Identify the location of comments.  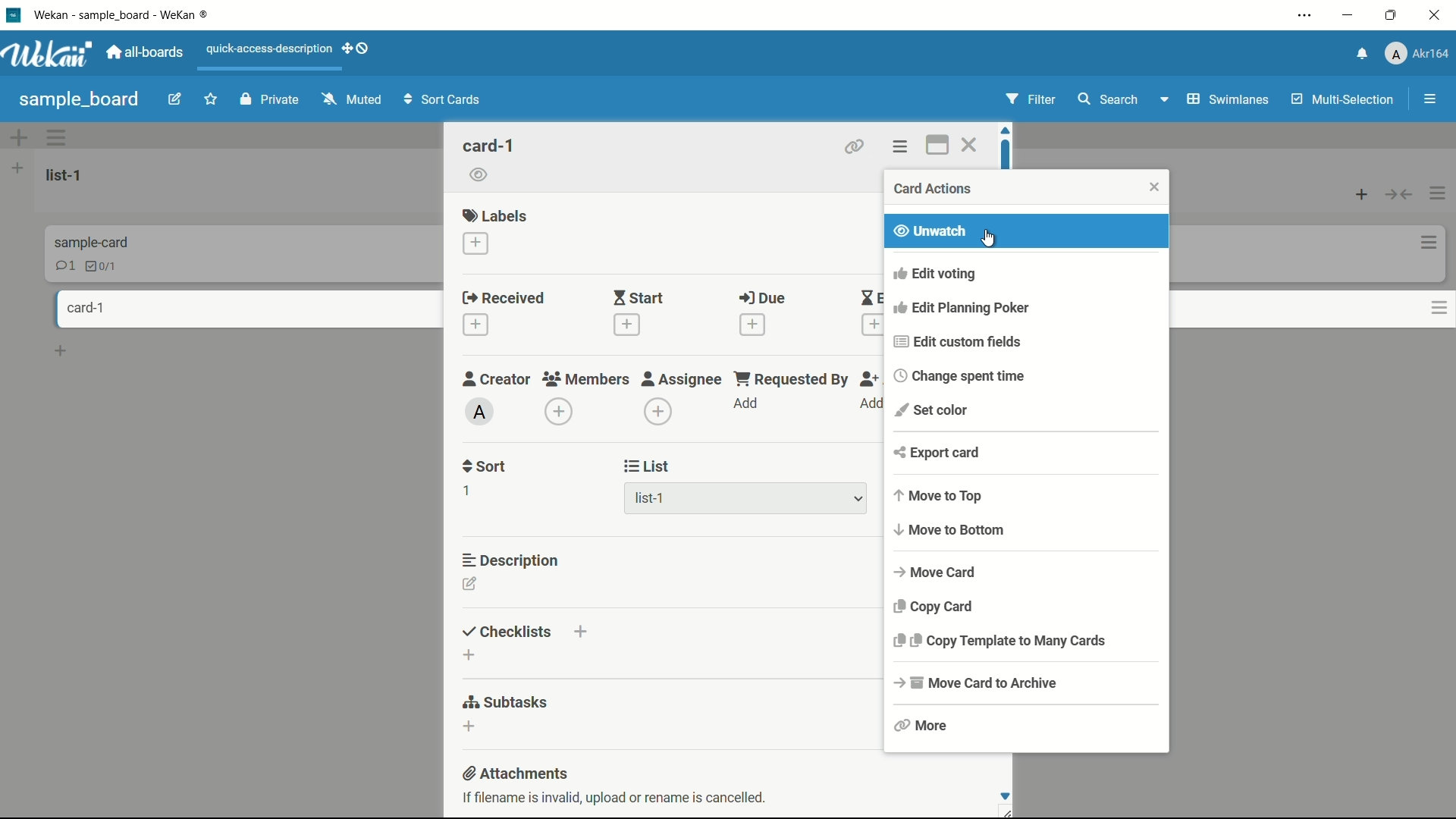
(64, 265).